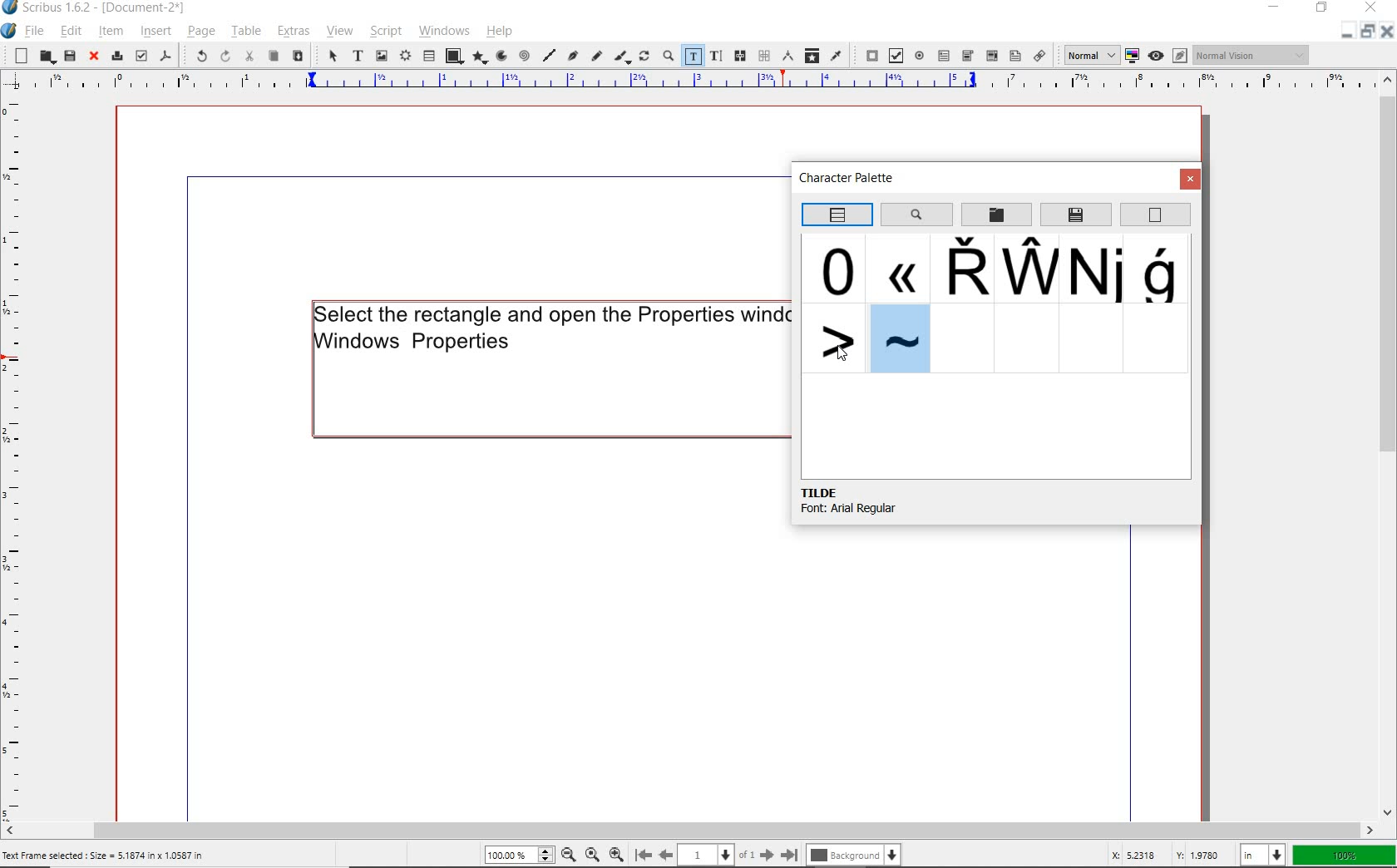  What do you see at coordinates (94, 57) in the screenshot?
I see `close` at bounding box center [94, 57].